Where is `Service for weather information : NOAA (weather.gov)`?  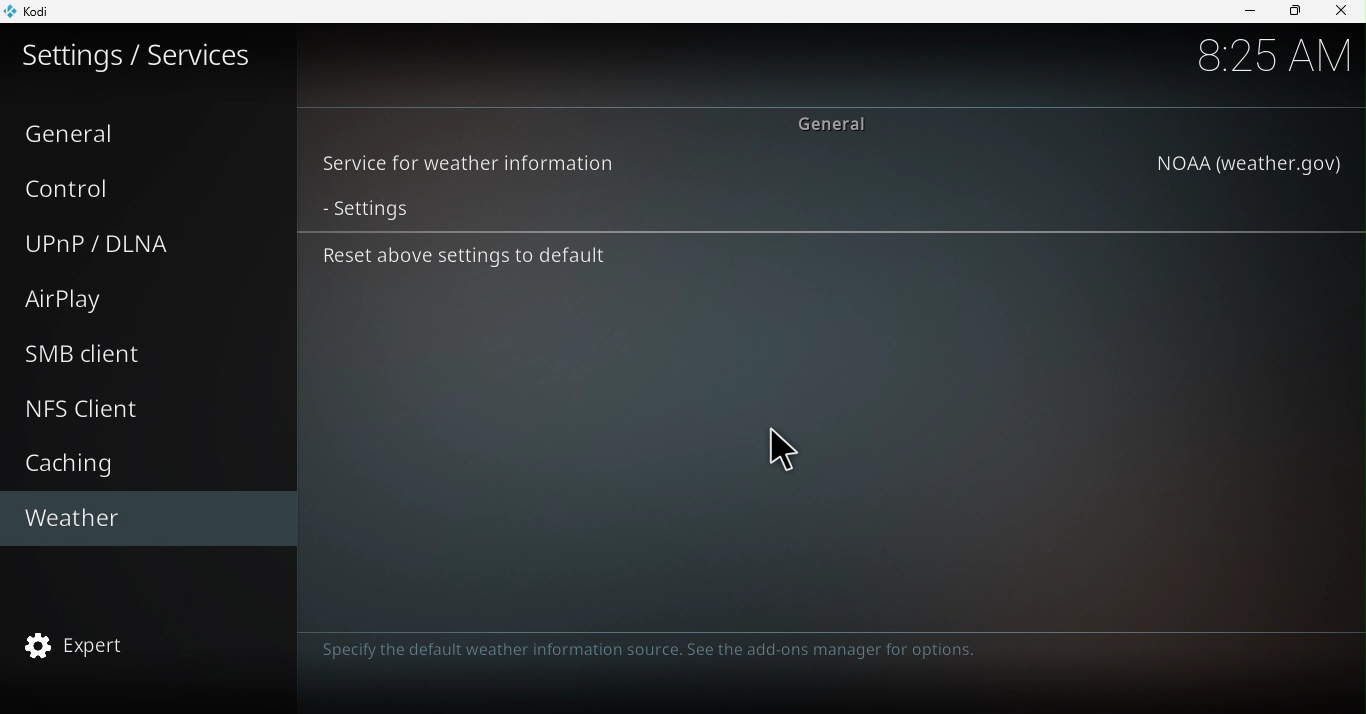
Service for weather information : NOAA (weather.gov) is located at coordinates (832, 165).